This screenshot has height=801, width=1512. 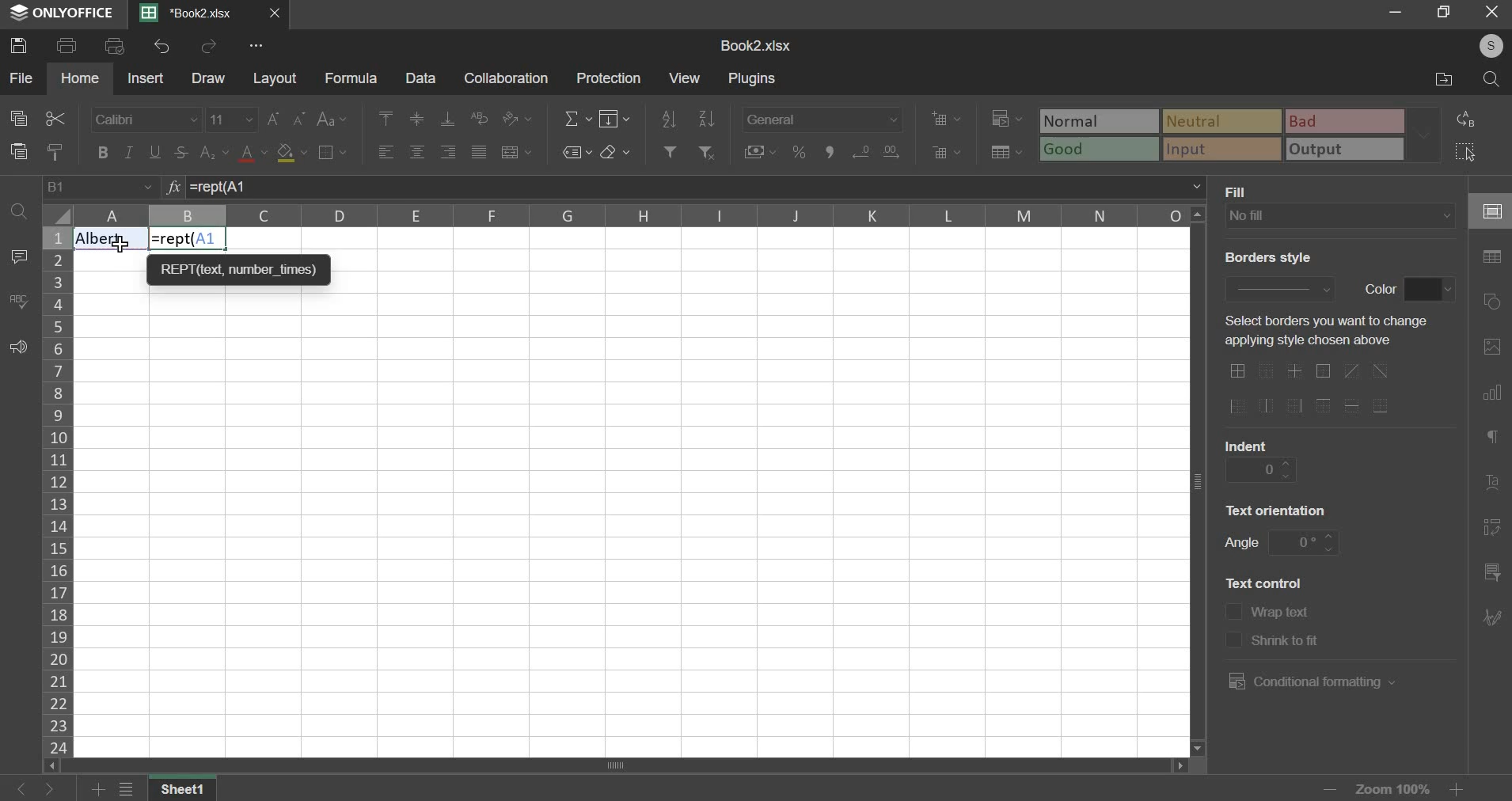 What do you see at coordinates (686, 78) in the screenshot?
I see `view` at bounding box center [686, 78].